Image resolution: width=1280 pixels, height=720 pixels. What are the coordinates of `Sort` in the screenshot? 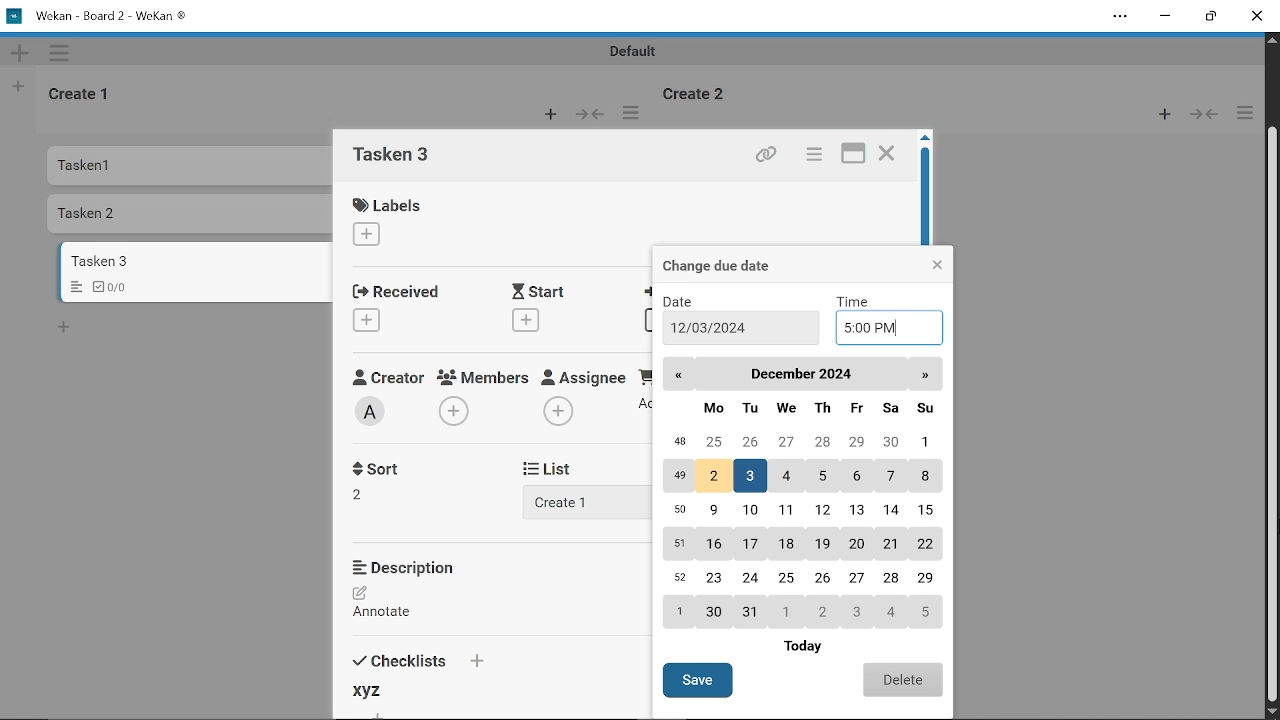 It's located at (382, 467).